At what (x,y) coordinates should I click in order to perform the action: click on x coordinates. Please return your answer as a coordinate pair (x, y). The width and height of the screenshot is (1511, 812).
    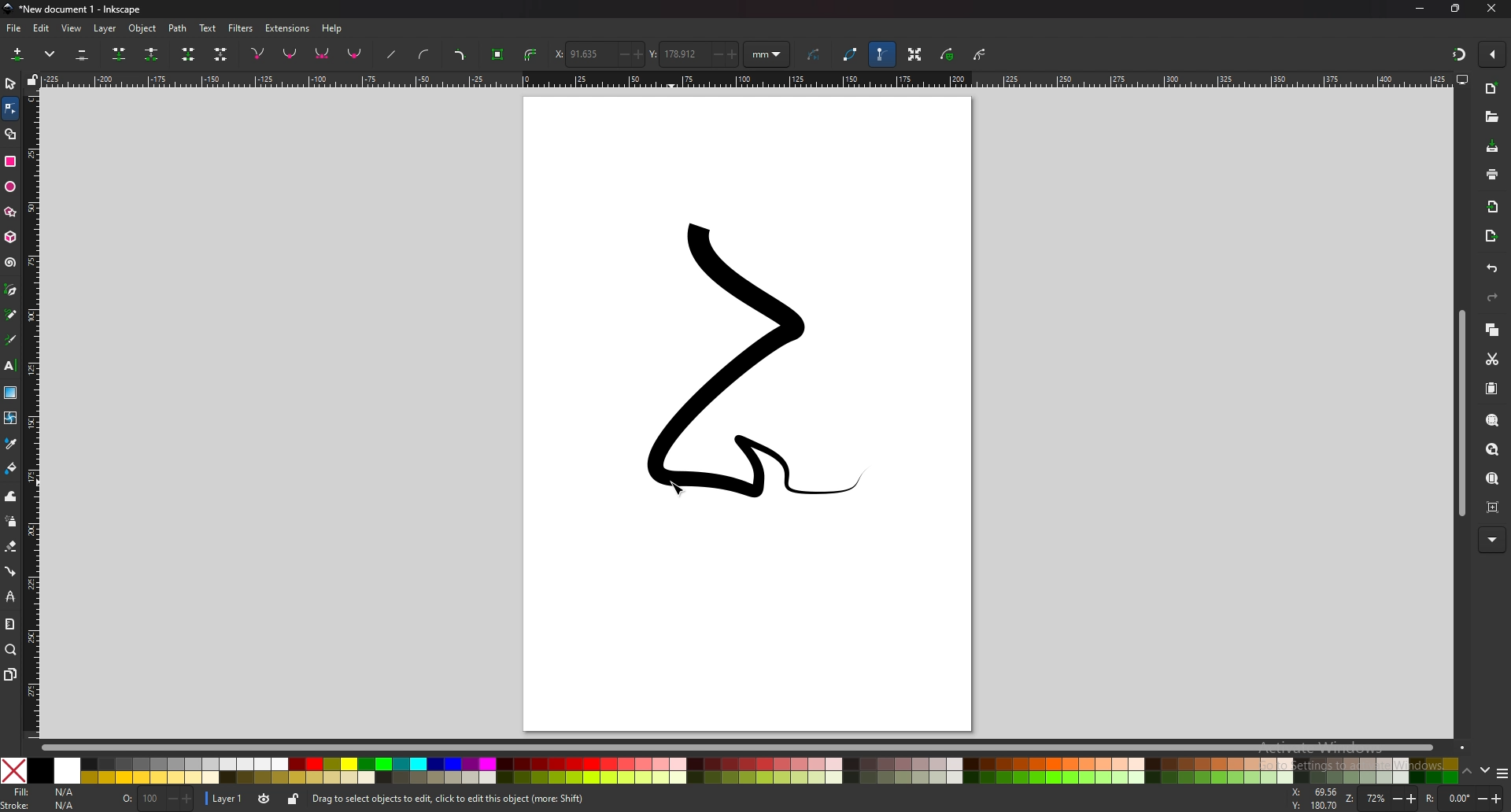
    Looking at the image, I should click on (599, 54).